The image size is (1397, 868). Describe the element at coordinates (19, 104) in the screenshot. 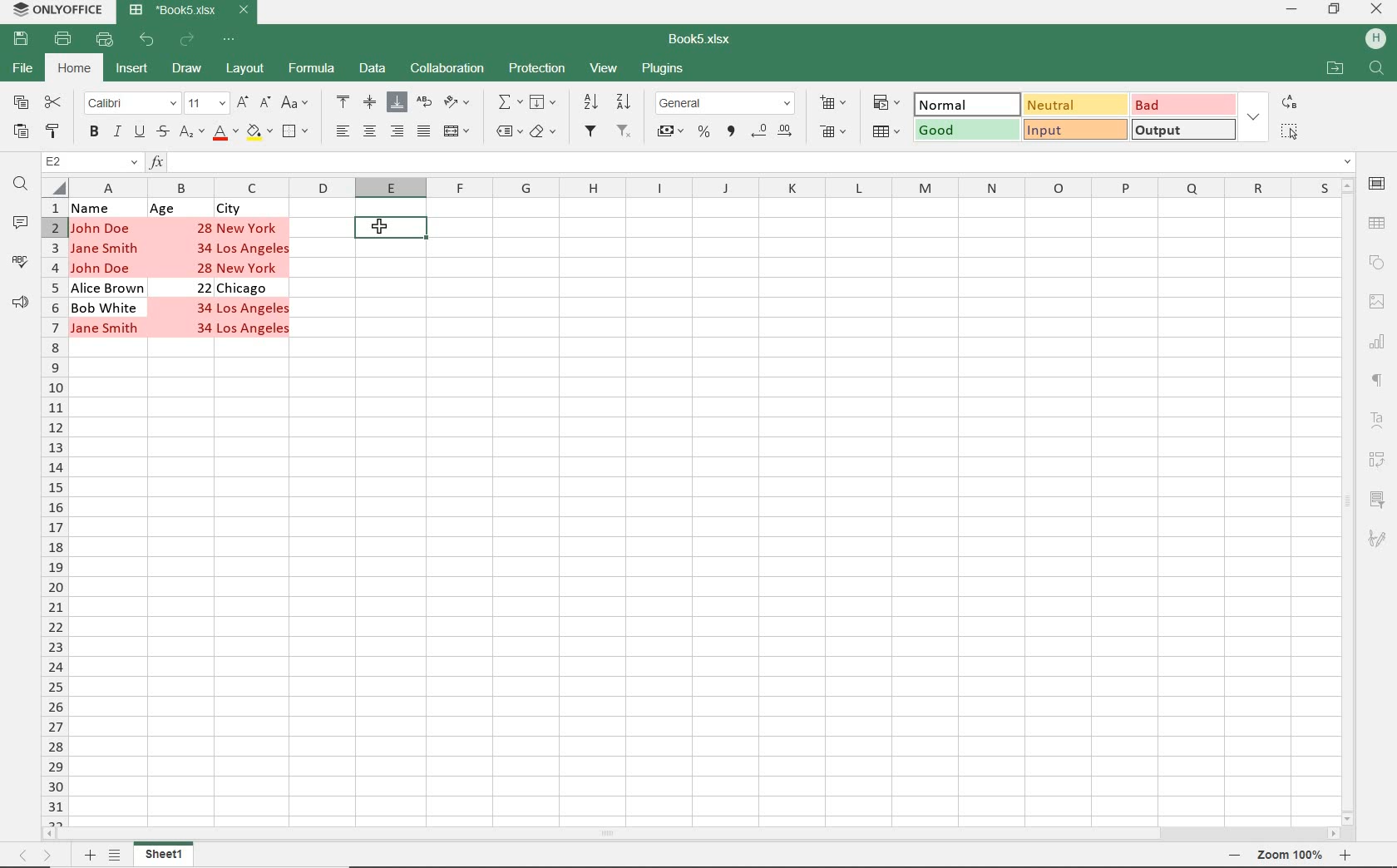

I see `COPY` at that location.